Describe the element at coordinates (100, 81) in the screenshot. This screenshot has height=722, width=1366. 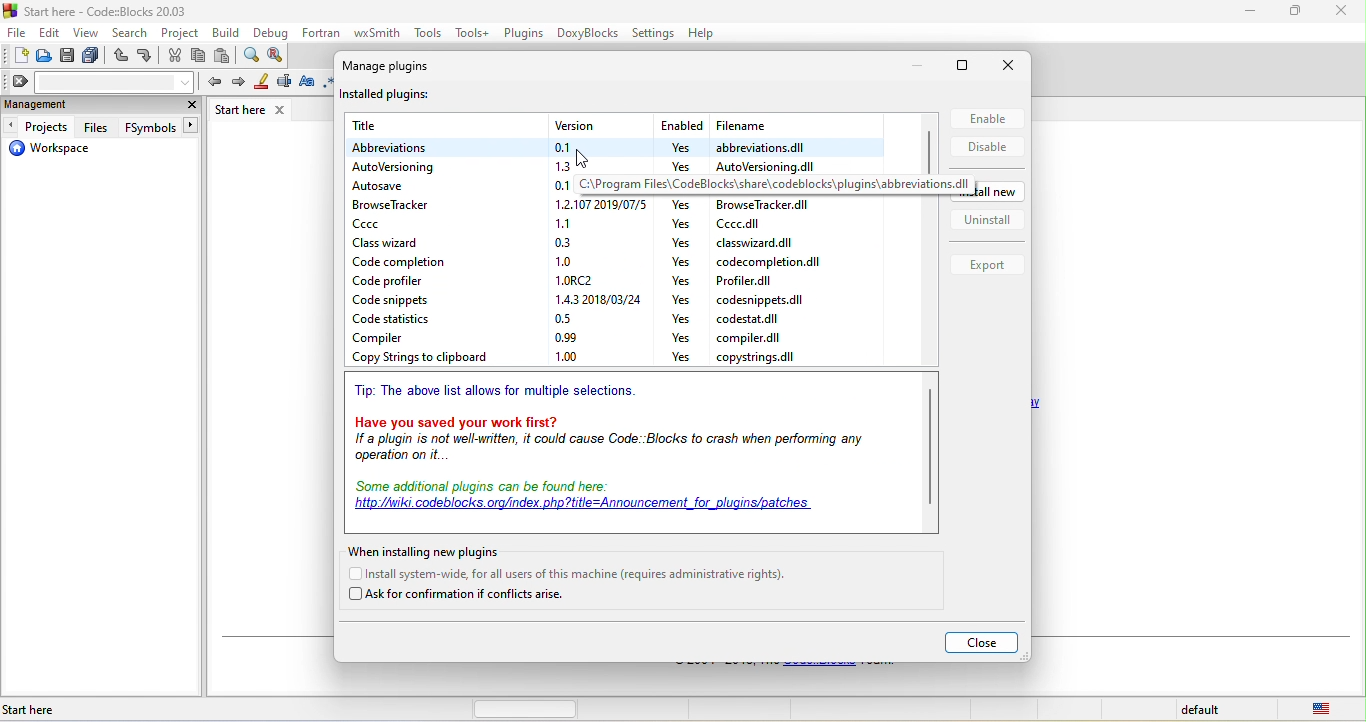
I see `clear` at that location.